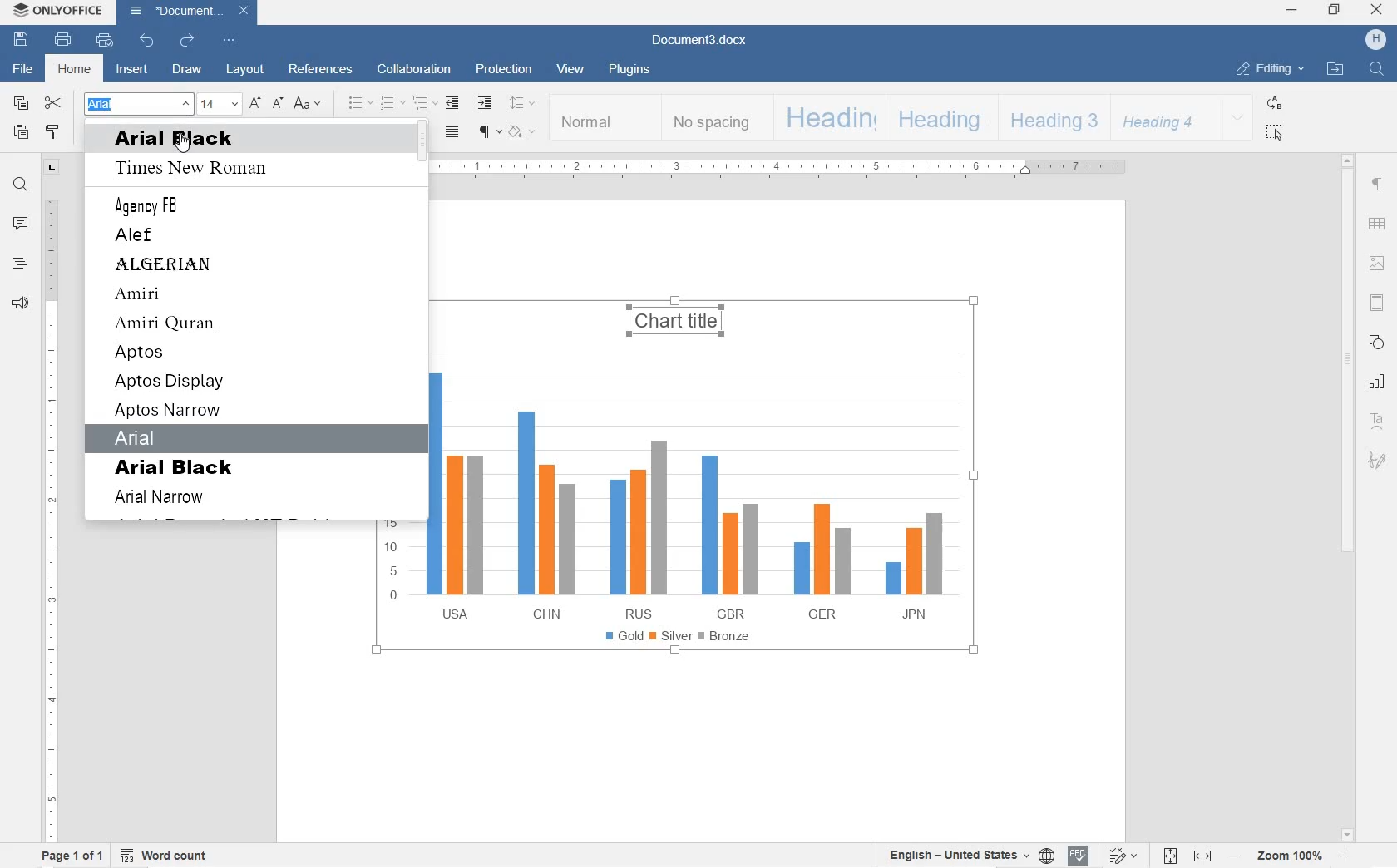 The width and height of the screenshot is (1397, 868). I want to click on INSERT, so click(134, 70).